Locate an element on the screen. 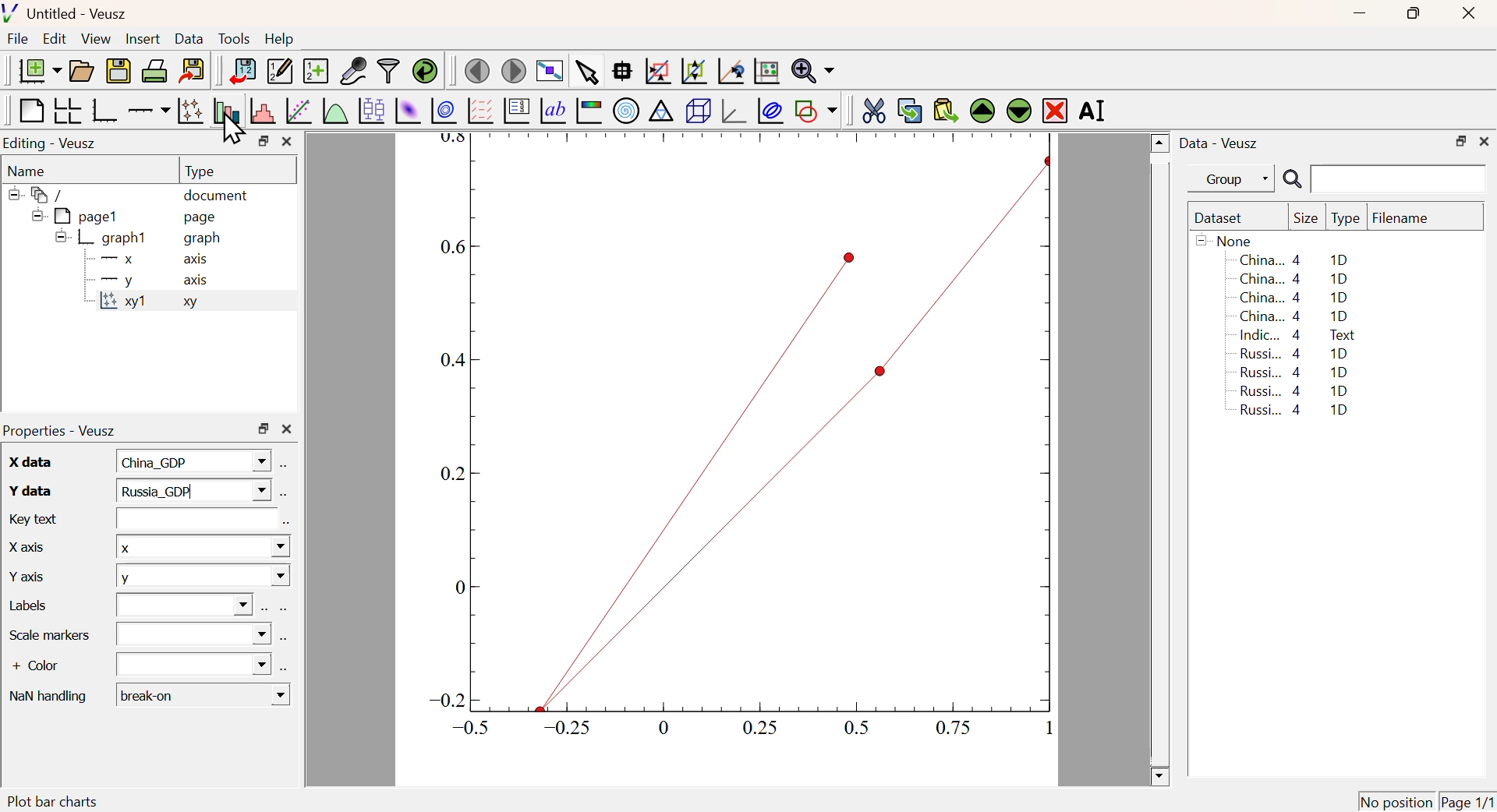  graph is located at coordinates (204, 239).